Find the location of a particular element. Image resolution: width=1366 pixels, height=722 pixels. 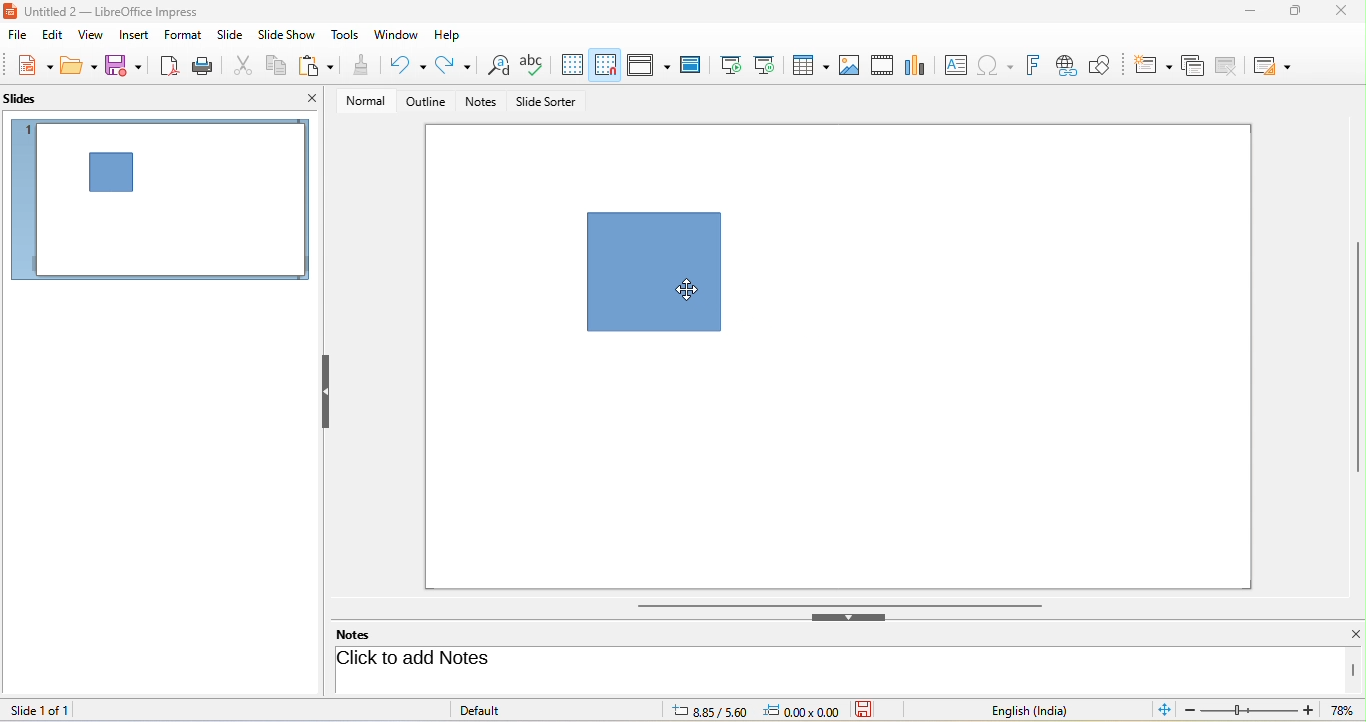

display view is located at coordinates (648, 64).